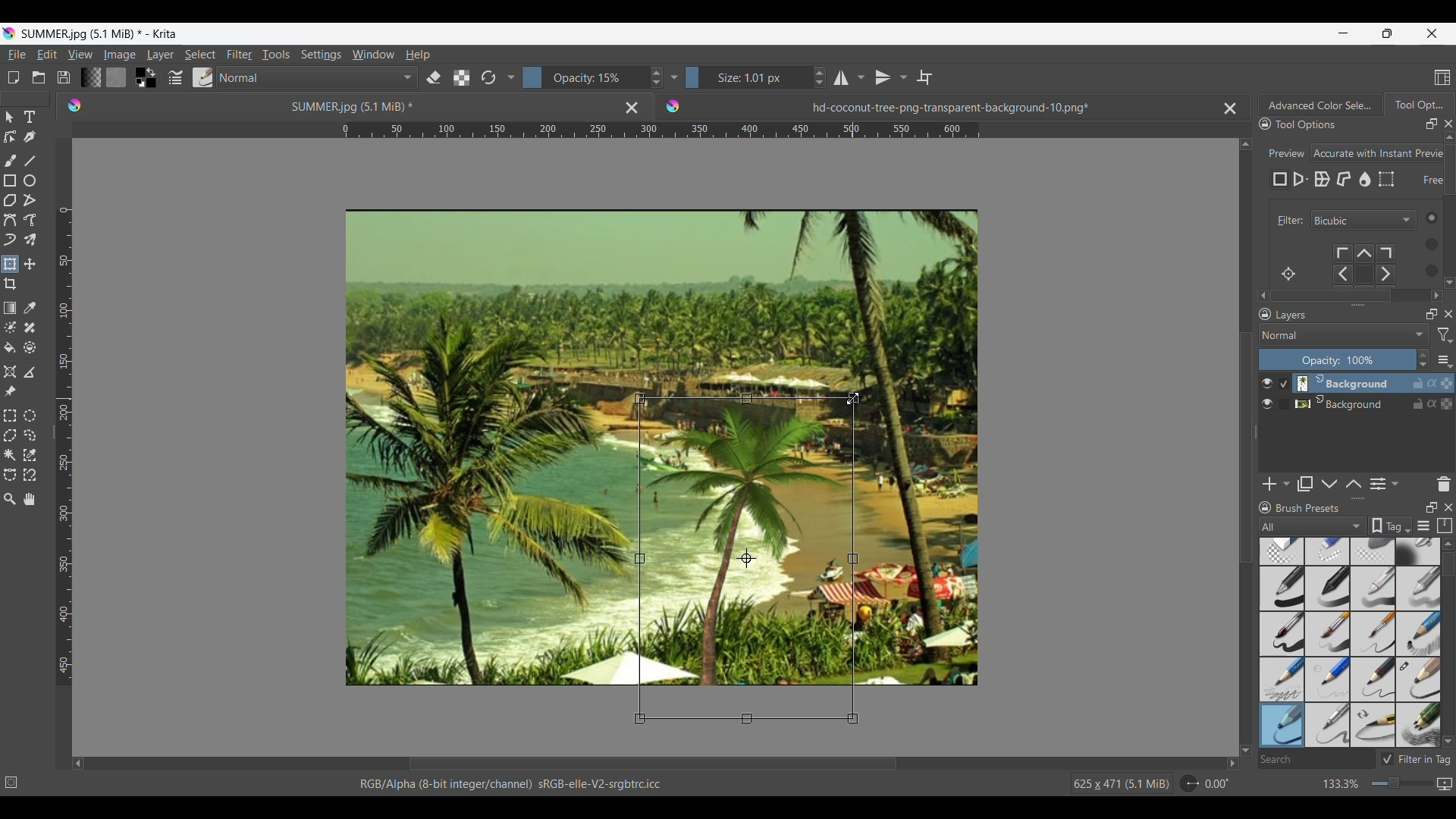 Image resolution: width=1456 pixels, height=819 pixels. I want to click on Float docker, so click(1432, 124).